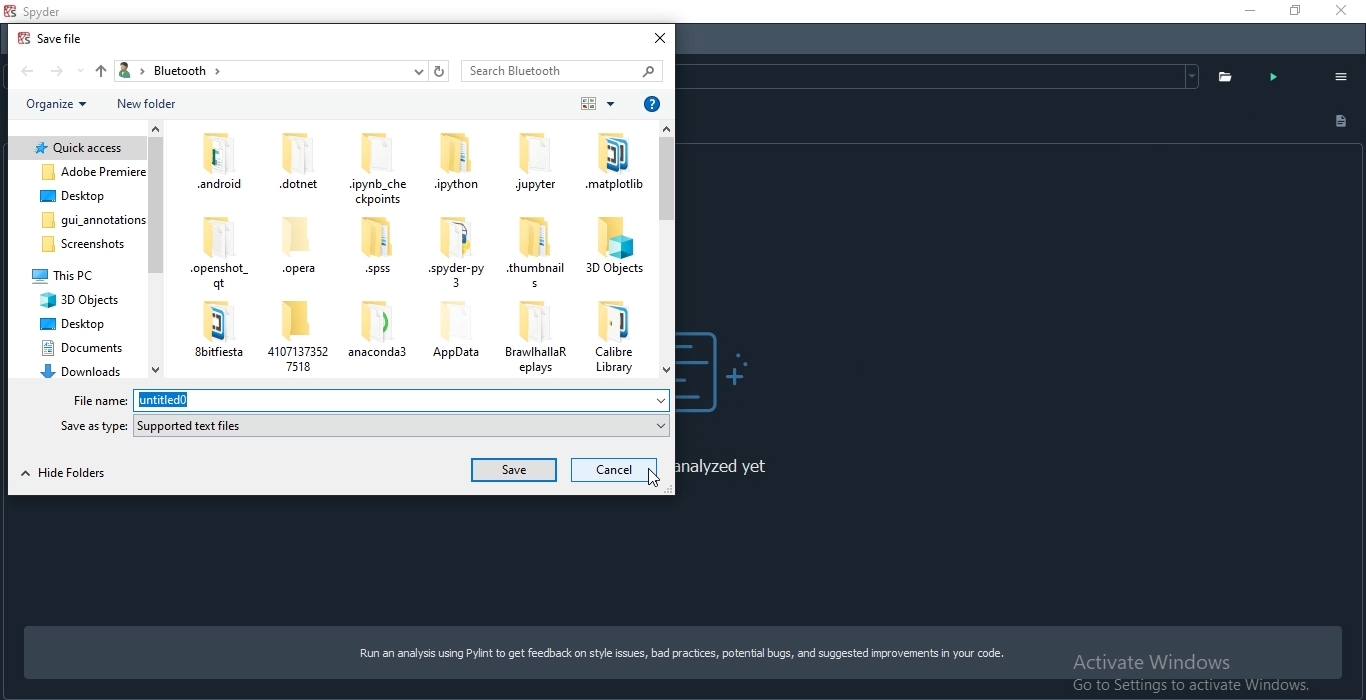  What do you see at coordinates (30, 71) in the screenshot?
I see `back folder` at bounding box center [30, 71].